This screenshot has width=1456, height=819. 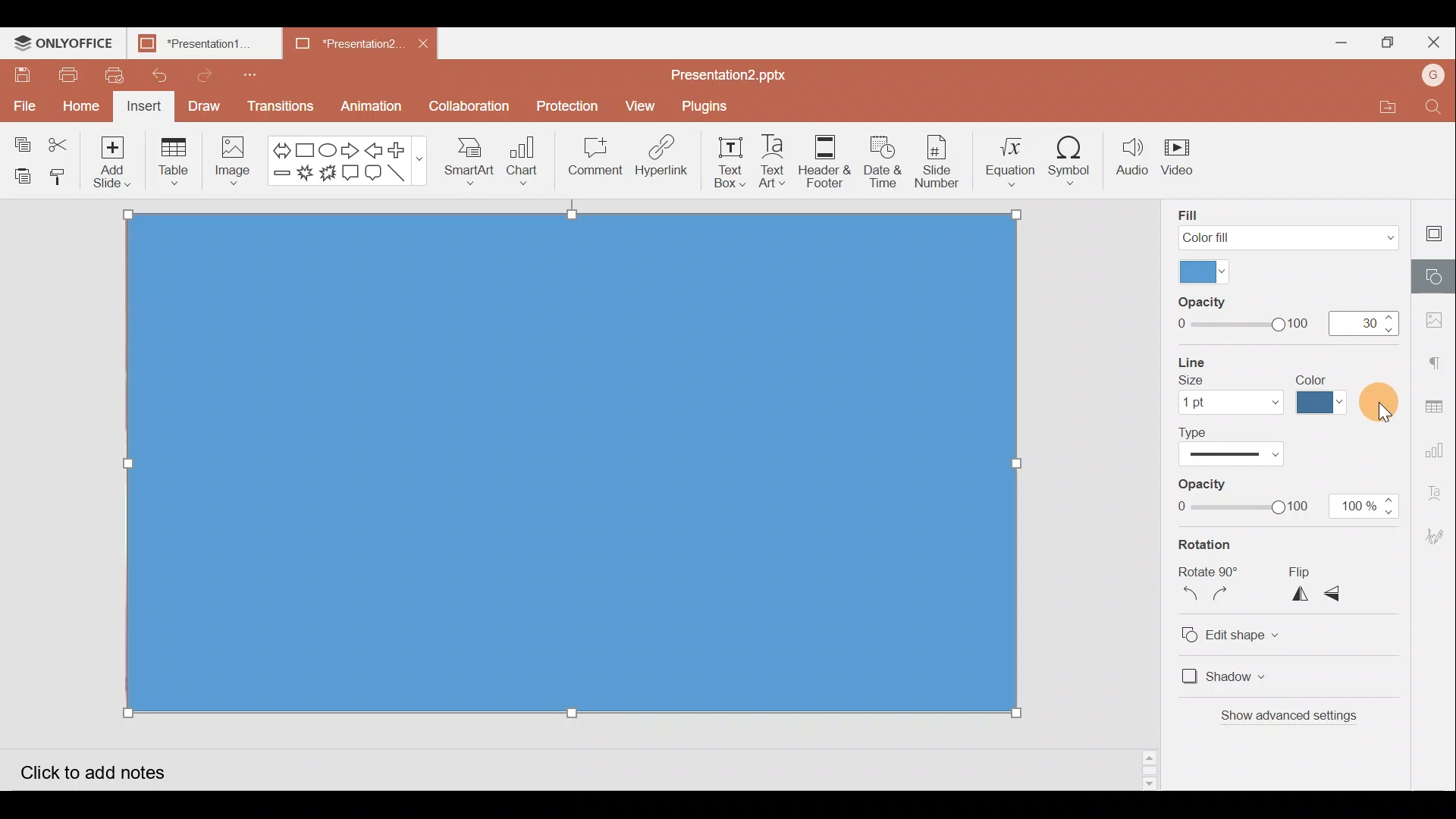 I want to click on Account name, so click(x=1435, y=75).